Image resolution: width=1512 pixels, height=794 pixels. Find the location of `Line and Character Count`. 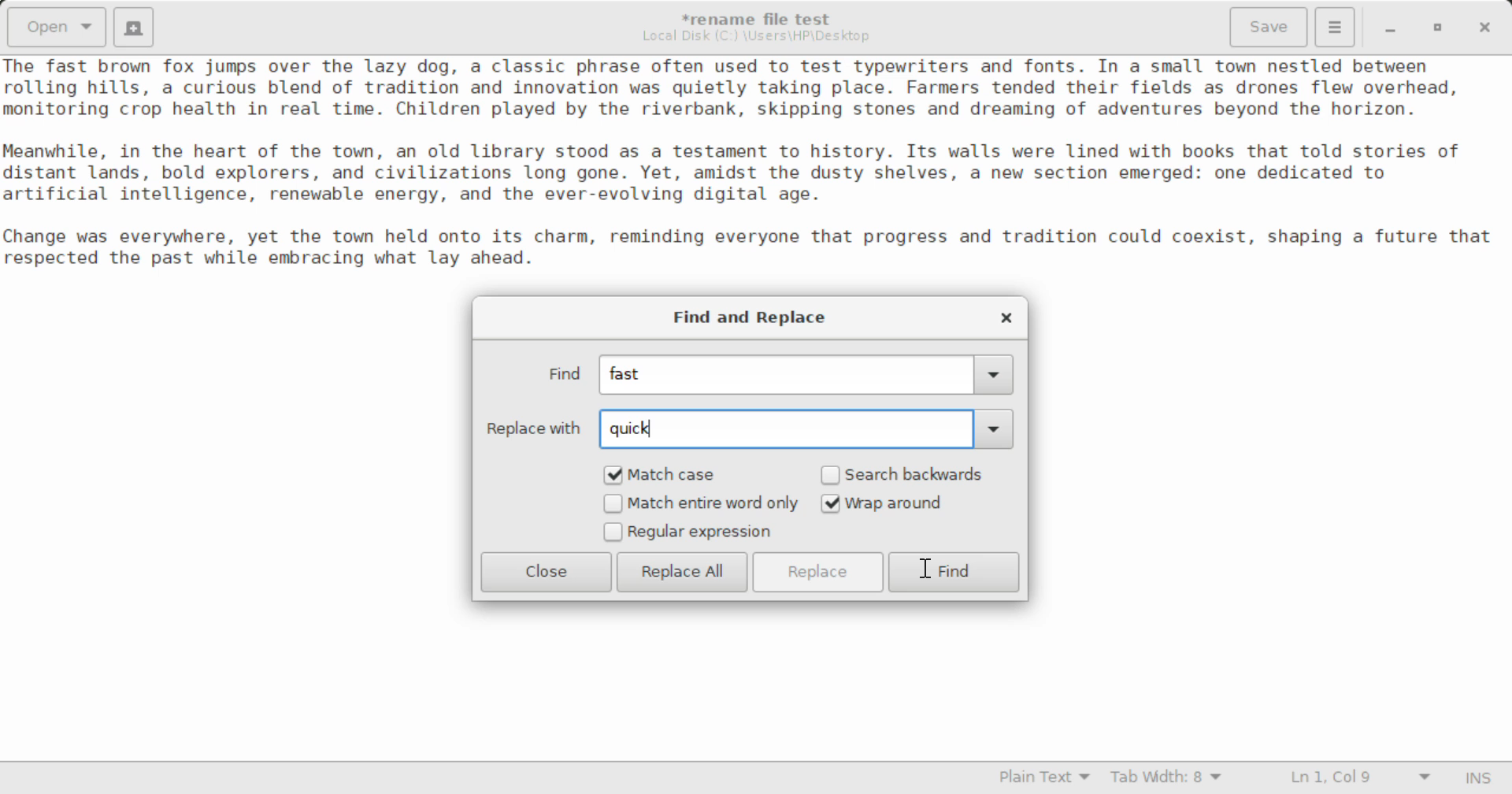

Line and Character Count is located at coordinates (1357, 779).